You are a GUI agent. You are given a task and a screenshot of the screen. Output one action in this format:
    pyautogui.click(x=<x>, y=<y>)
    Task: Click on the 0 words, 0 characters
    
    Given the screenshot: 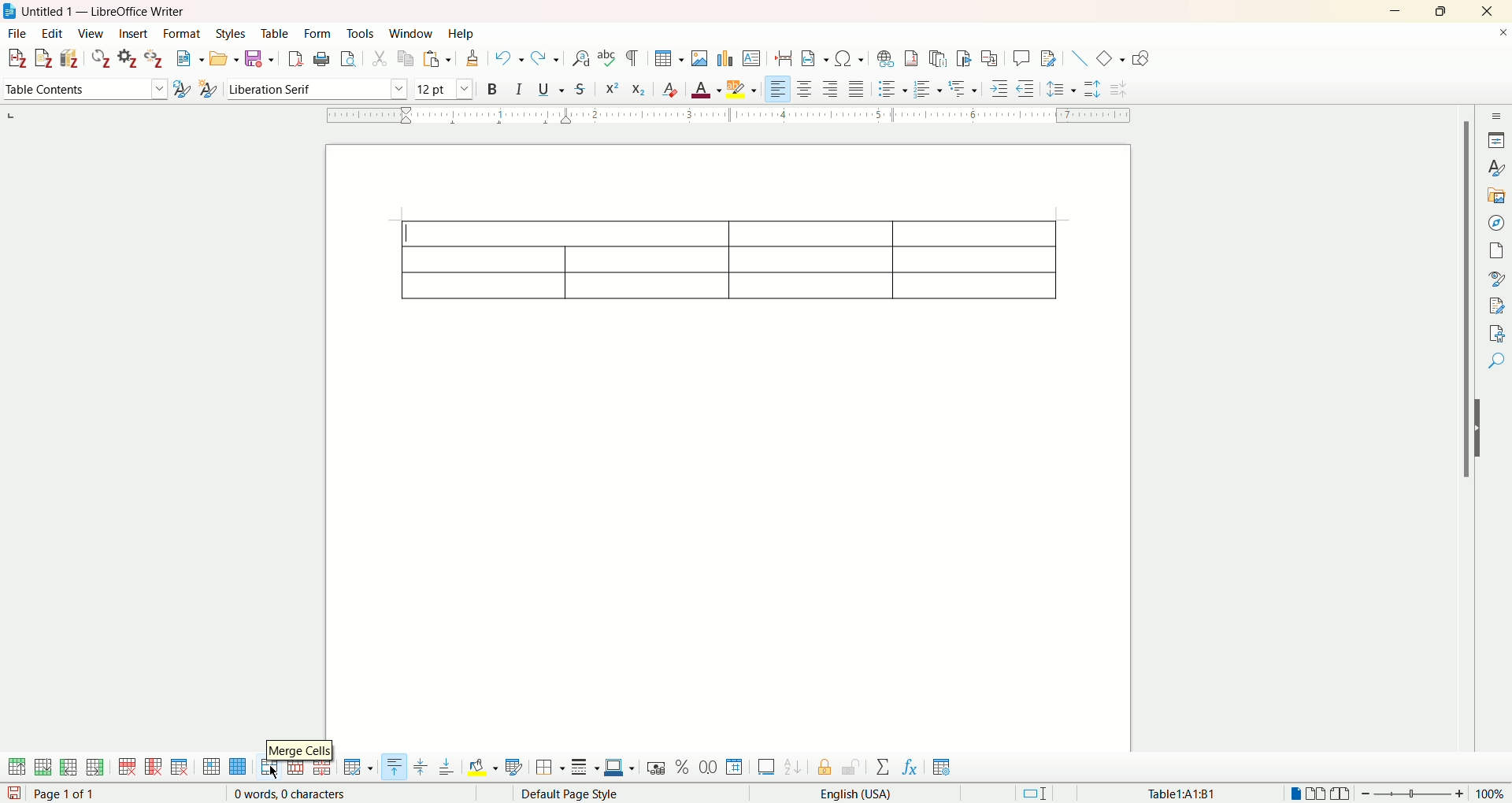 What is the action you would take?
    pyautogui.click(x=292, y=793)
    